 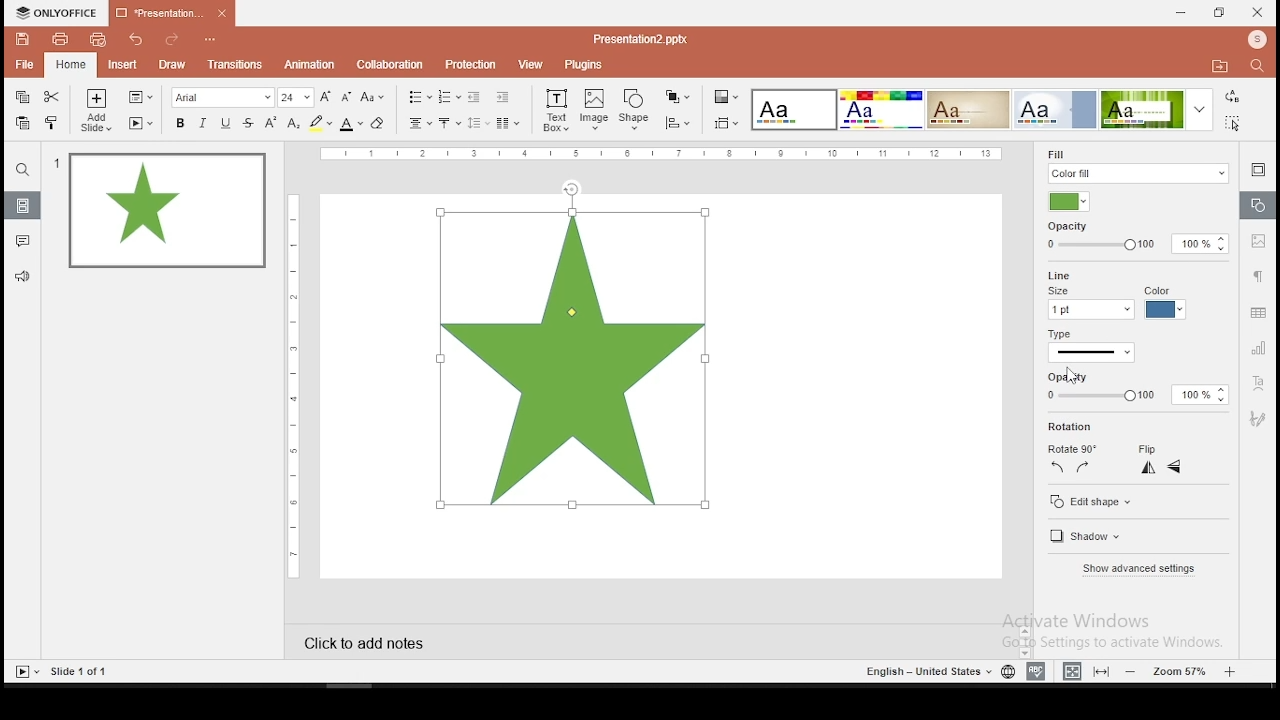 I want to click on transitions, so click(x=235, y=67).